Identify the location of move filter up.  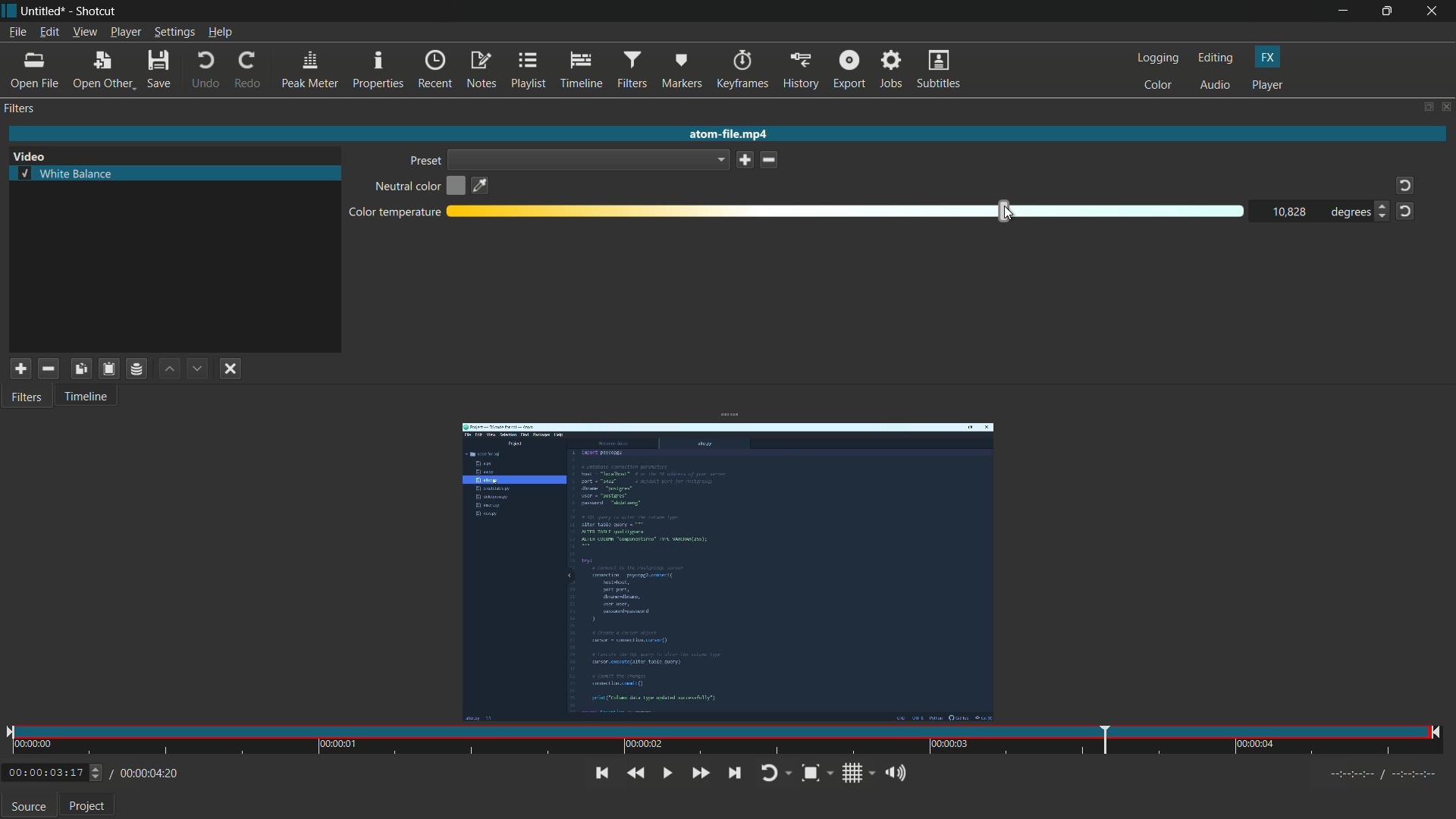
(169, 369).